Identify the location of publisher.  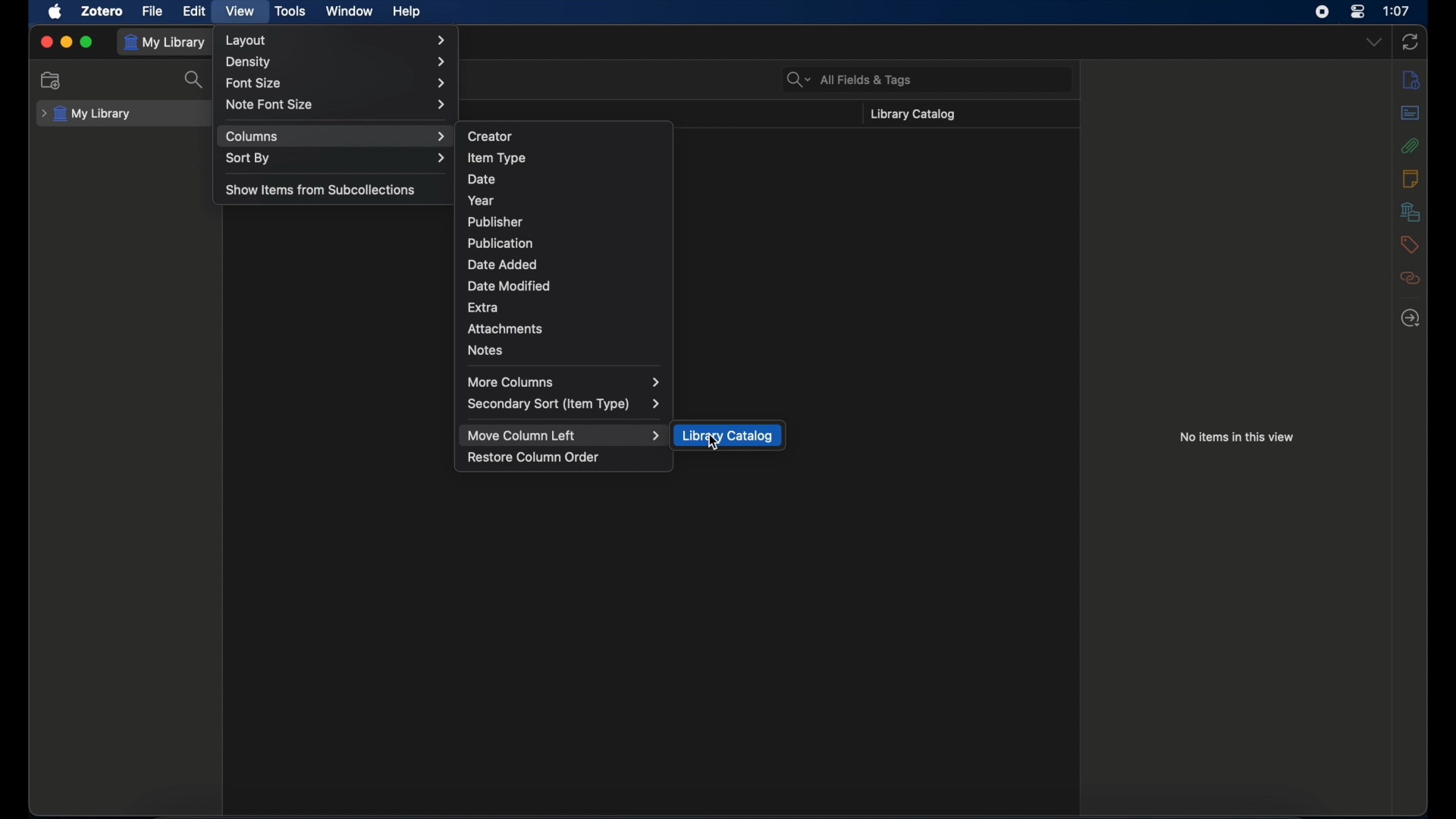
(495, 221).